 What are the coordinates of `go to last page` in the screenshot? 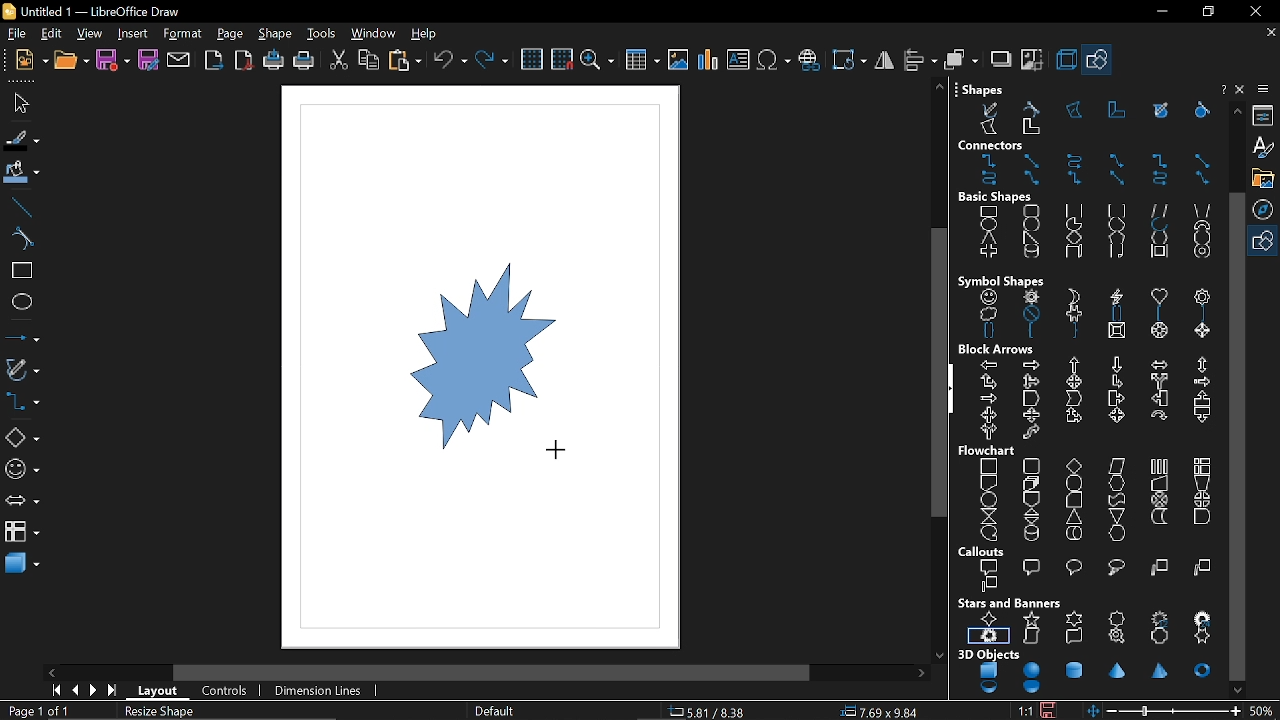 It's located at (114, 692).